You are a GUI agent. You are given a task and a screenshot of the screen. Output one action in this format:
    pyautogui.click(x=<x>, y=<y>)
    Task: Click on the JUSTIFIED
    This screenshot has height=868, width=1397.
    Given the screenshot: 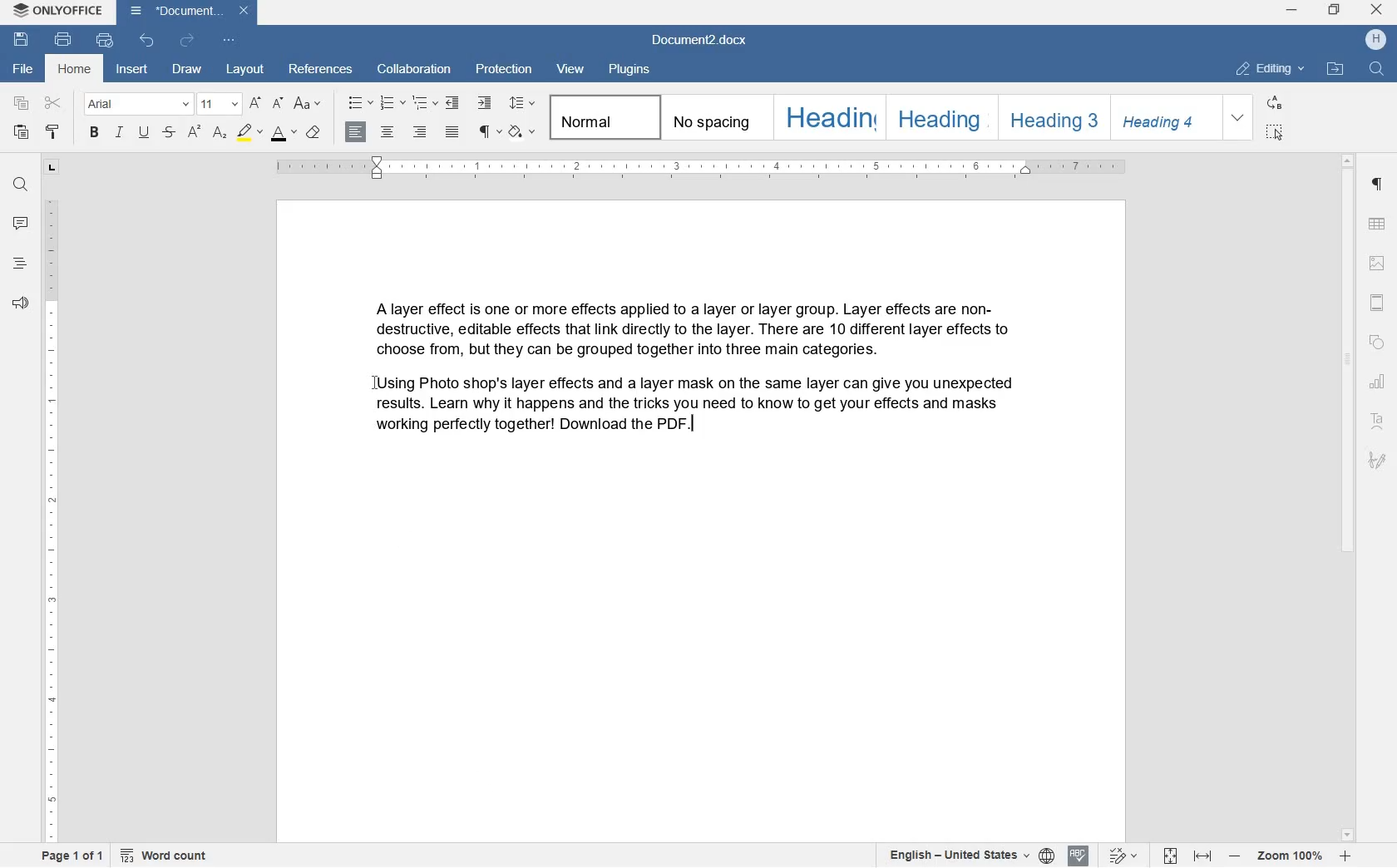 What is the action you would take?
    pyautogui.click(x=452, y=133)
    